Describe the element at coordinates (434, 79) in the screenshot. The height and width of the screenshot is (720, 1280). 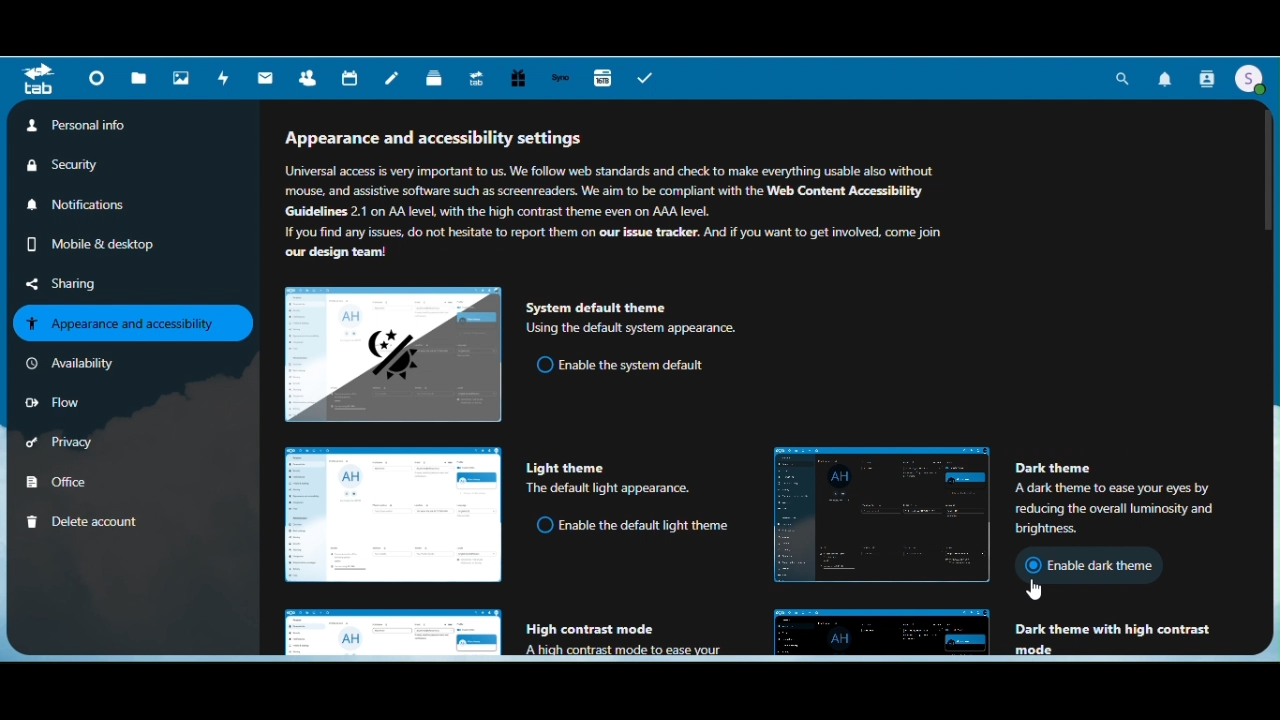
I see `deck` at that location.